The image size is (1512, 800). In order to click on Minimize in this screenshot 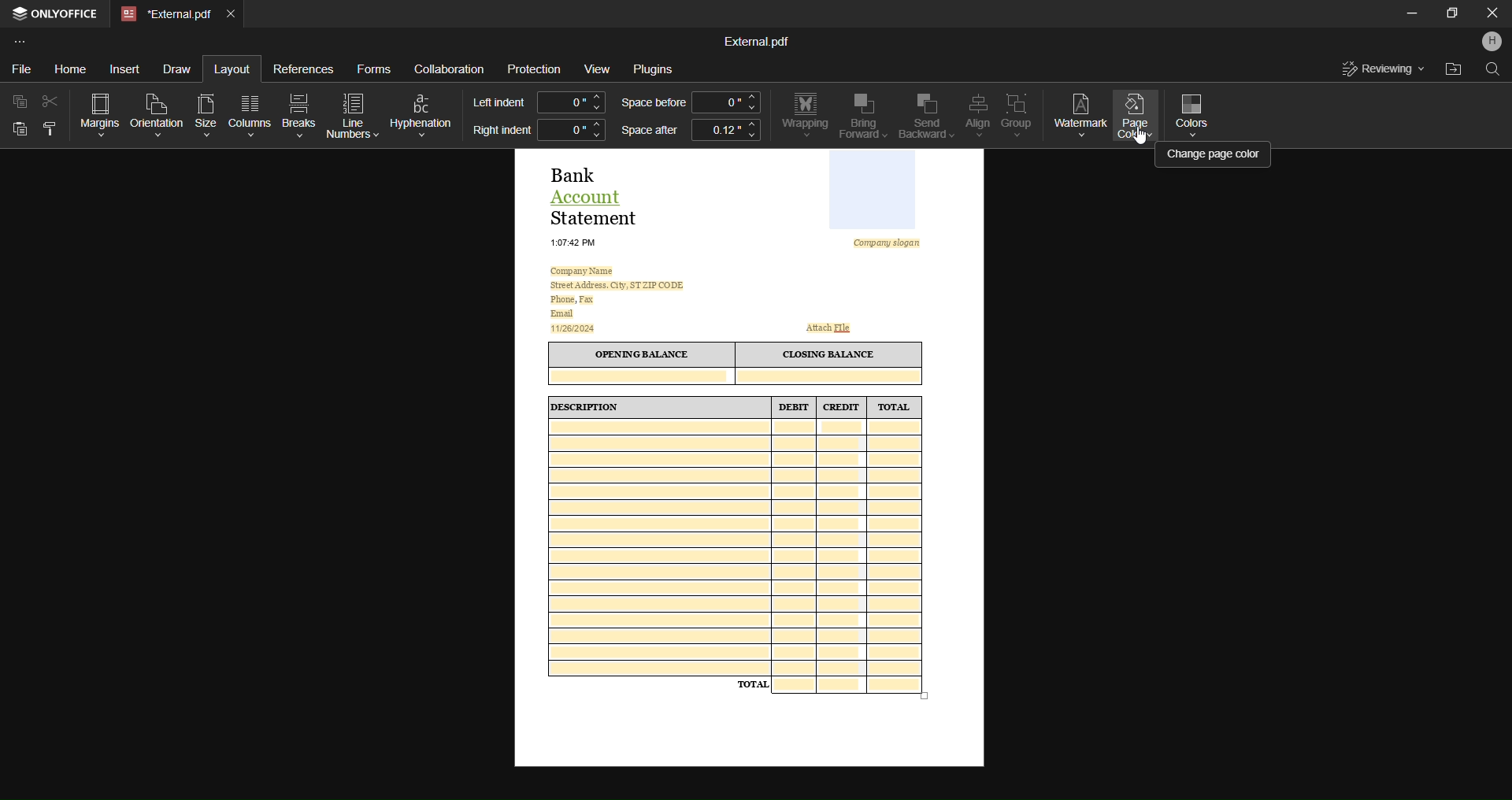, I will do `click(1405, 15)`.